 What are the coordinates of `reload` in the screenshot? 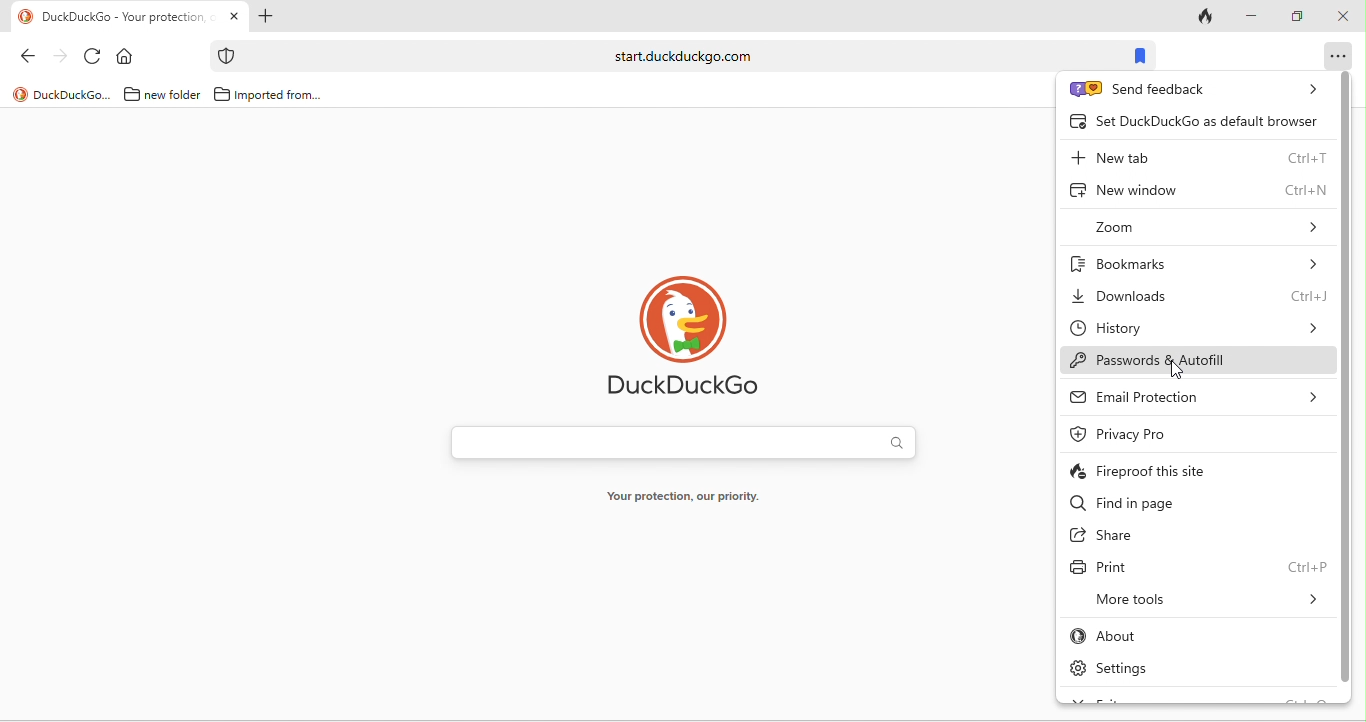 It's located at (94, 58).